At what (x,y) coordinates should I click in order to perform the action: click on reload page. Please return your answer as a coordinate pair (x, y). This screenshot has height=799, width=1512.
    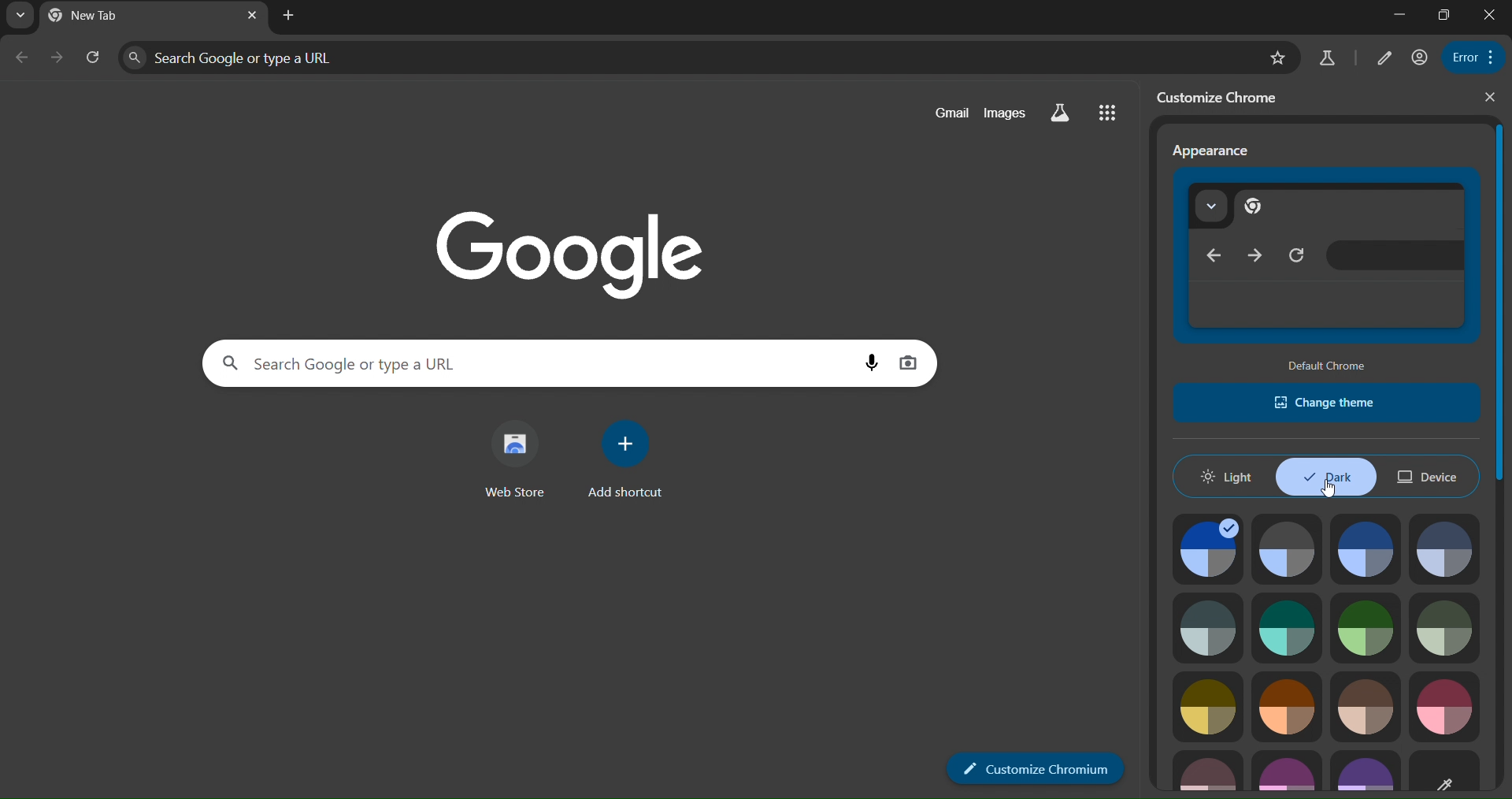
    Looking at the image, I should click on (95, 59).